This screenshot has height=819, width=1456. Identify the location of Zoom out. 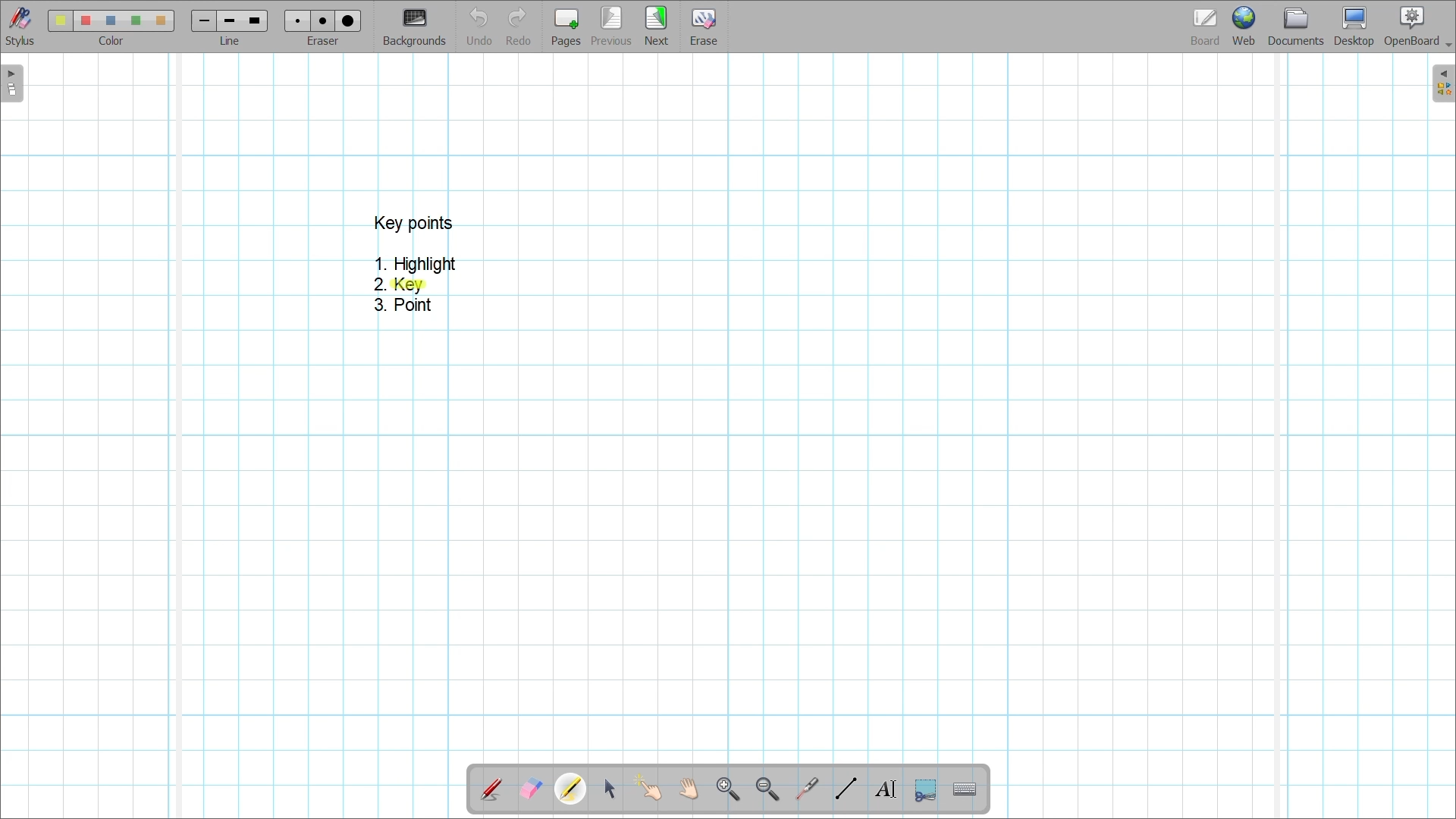
(768, 790).